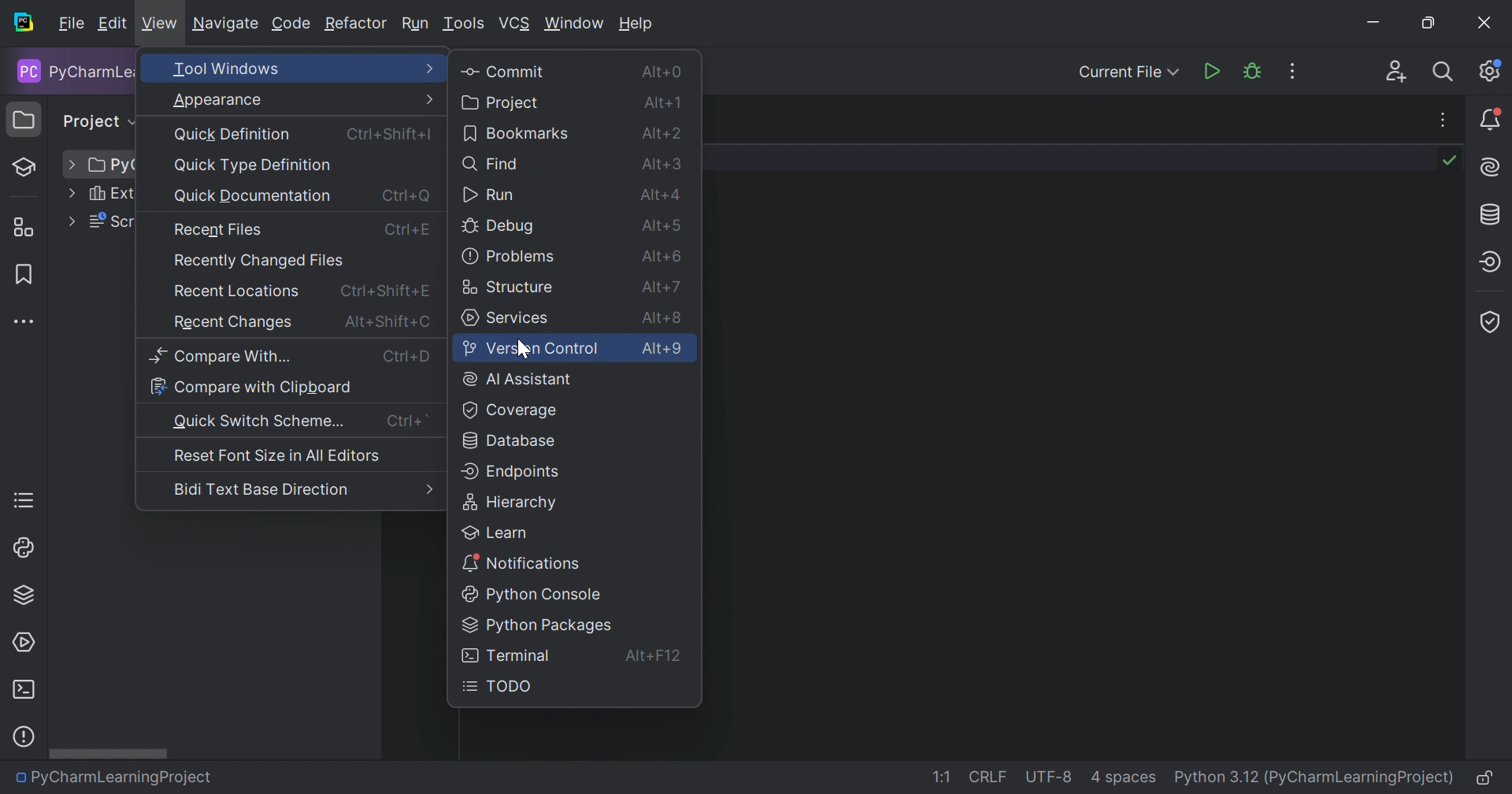 This screenshot has width=1512, height=794. I want to click on Run, so click(488, 195).